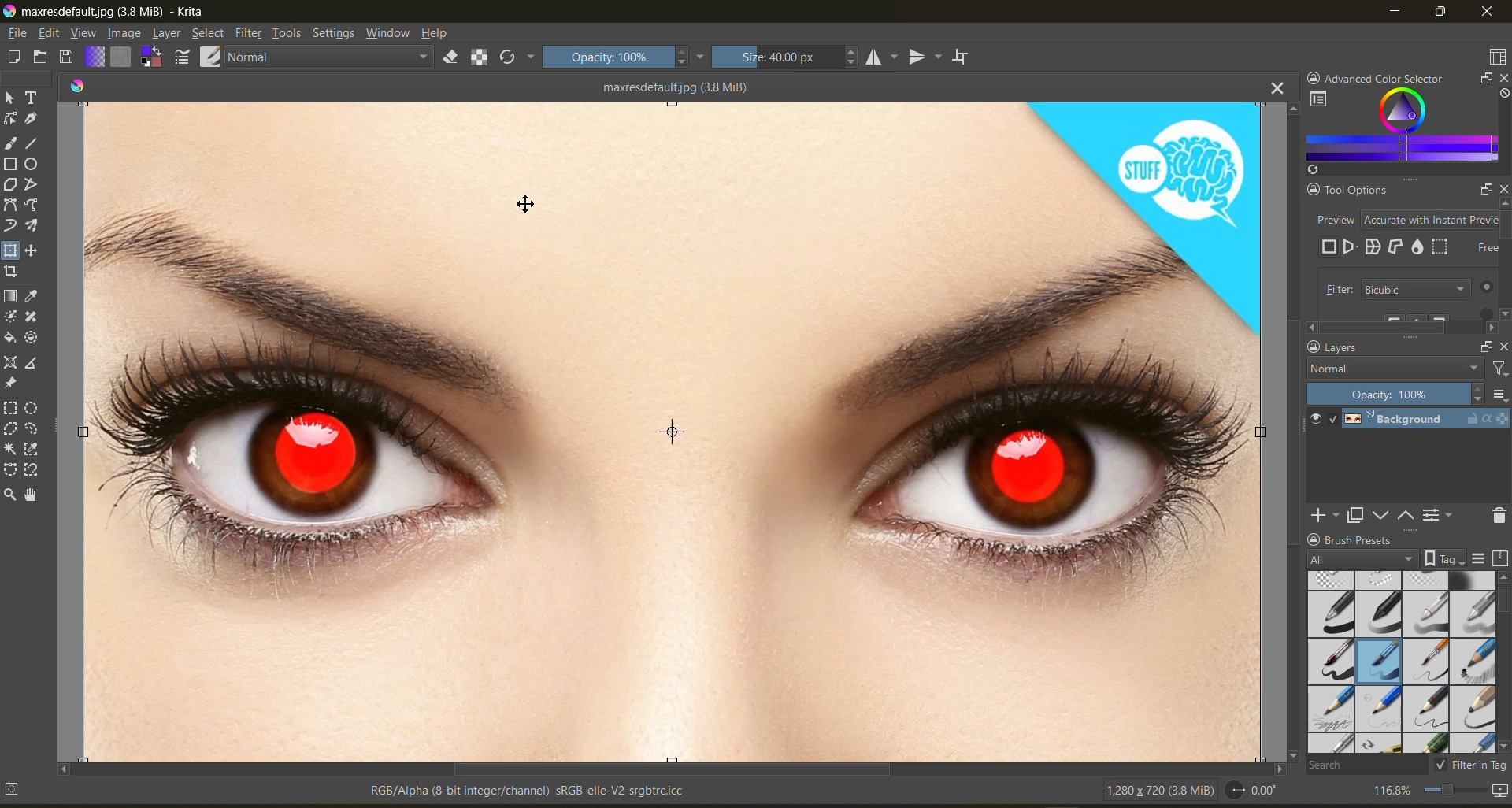  Describe the element at coordinates (13, 271) in the screenshot. I see `tool` at that location.